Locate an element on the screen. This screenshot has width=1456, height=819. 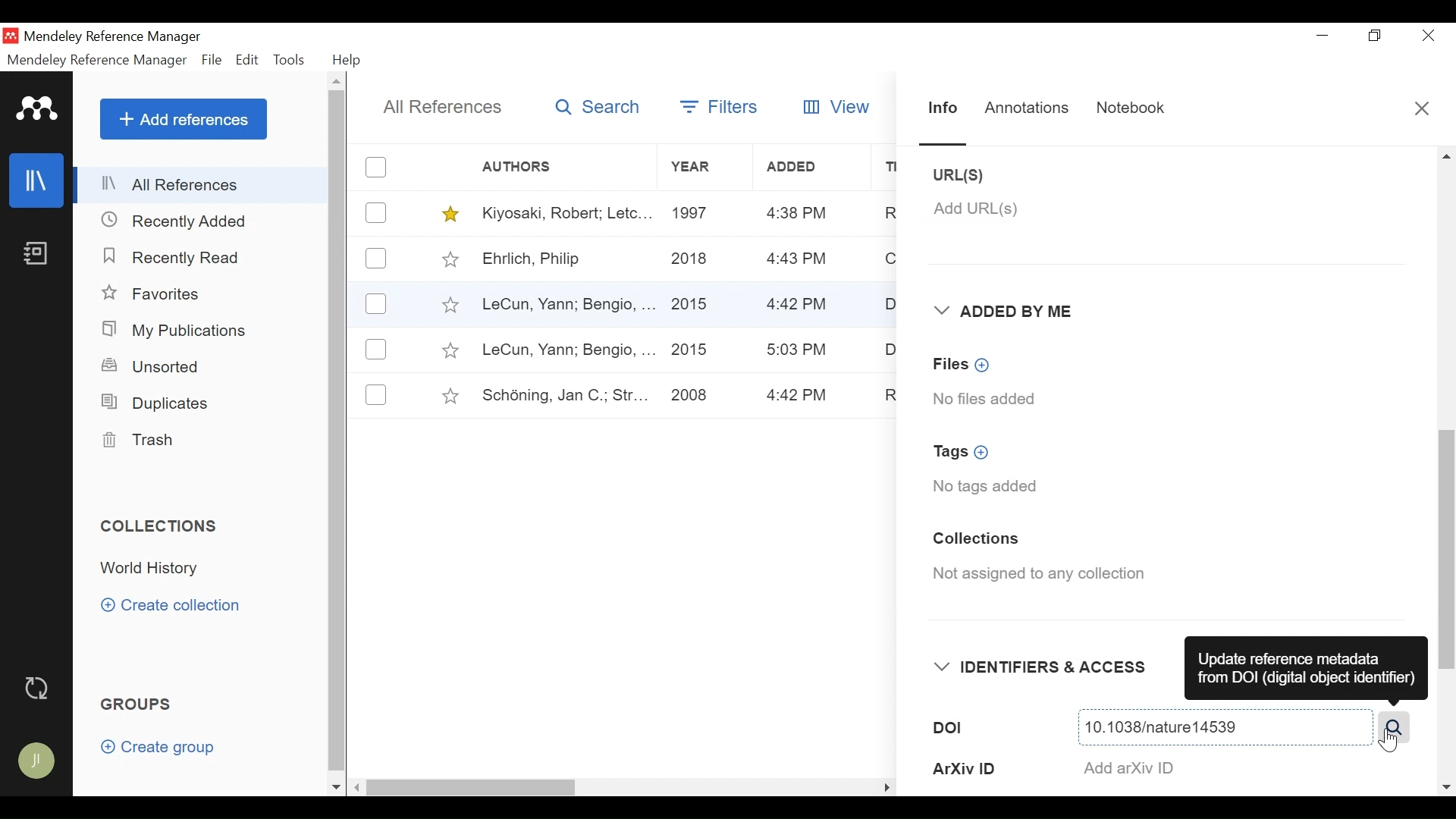
Toggle Favorites is located at coordinates (451, 214).